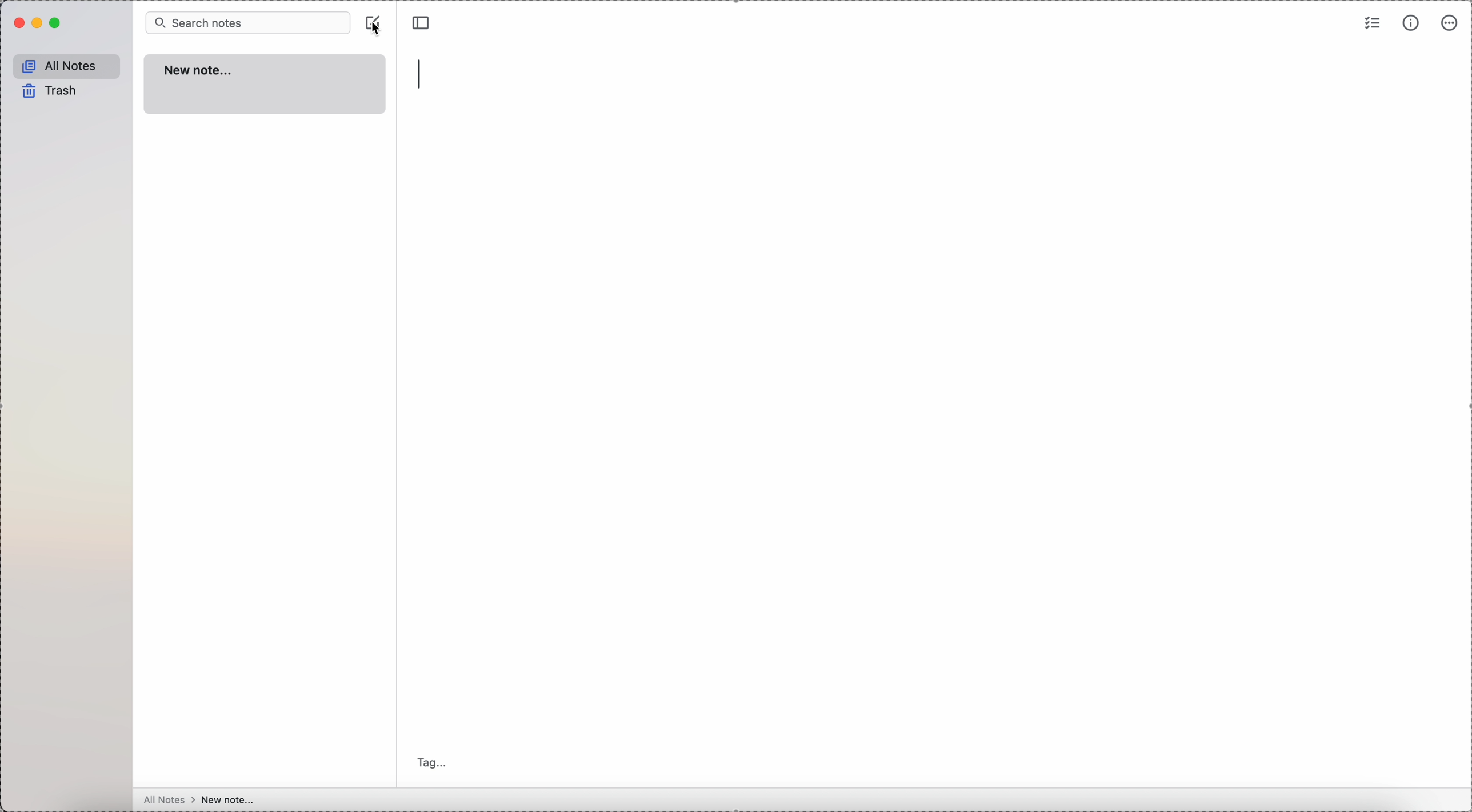 The width and height of the screenshot is (1472, 812). What do you see at coordinates (265, 84) in the screenshot?
I see `new note` at bounding box center [265, 84].